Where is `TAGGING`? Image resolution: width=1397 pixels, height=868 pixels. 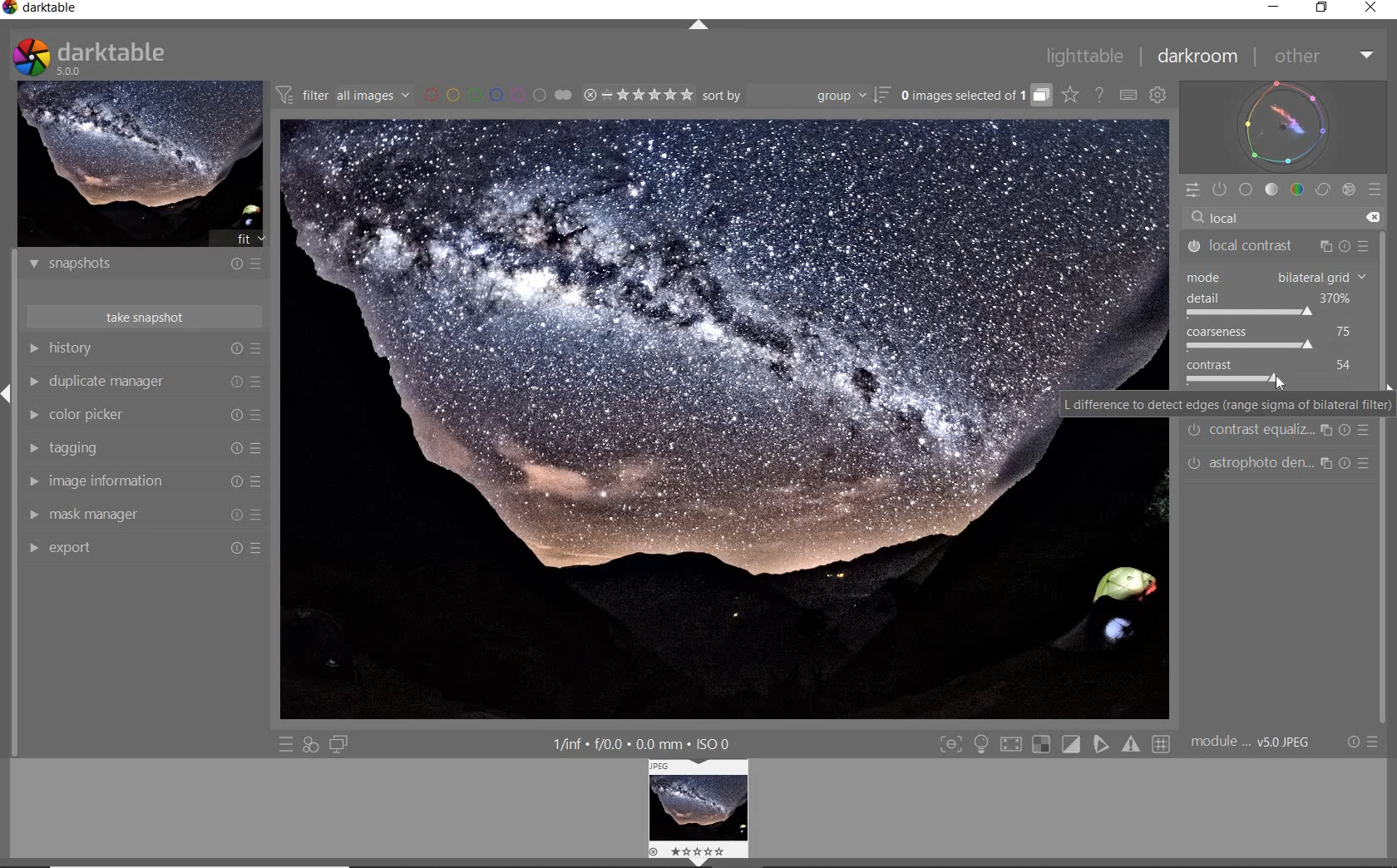 TAGGING is located at coordinates (29, 448).